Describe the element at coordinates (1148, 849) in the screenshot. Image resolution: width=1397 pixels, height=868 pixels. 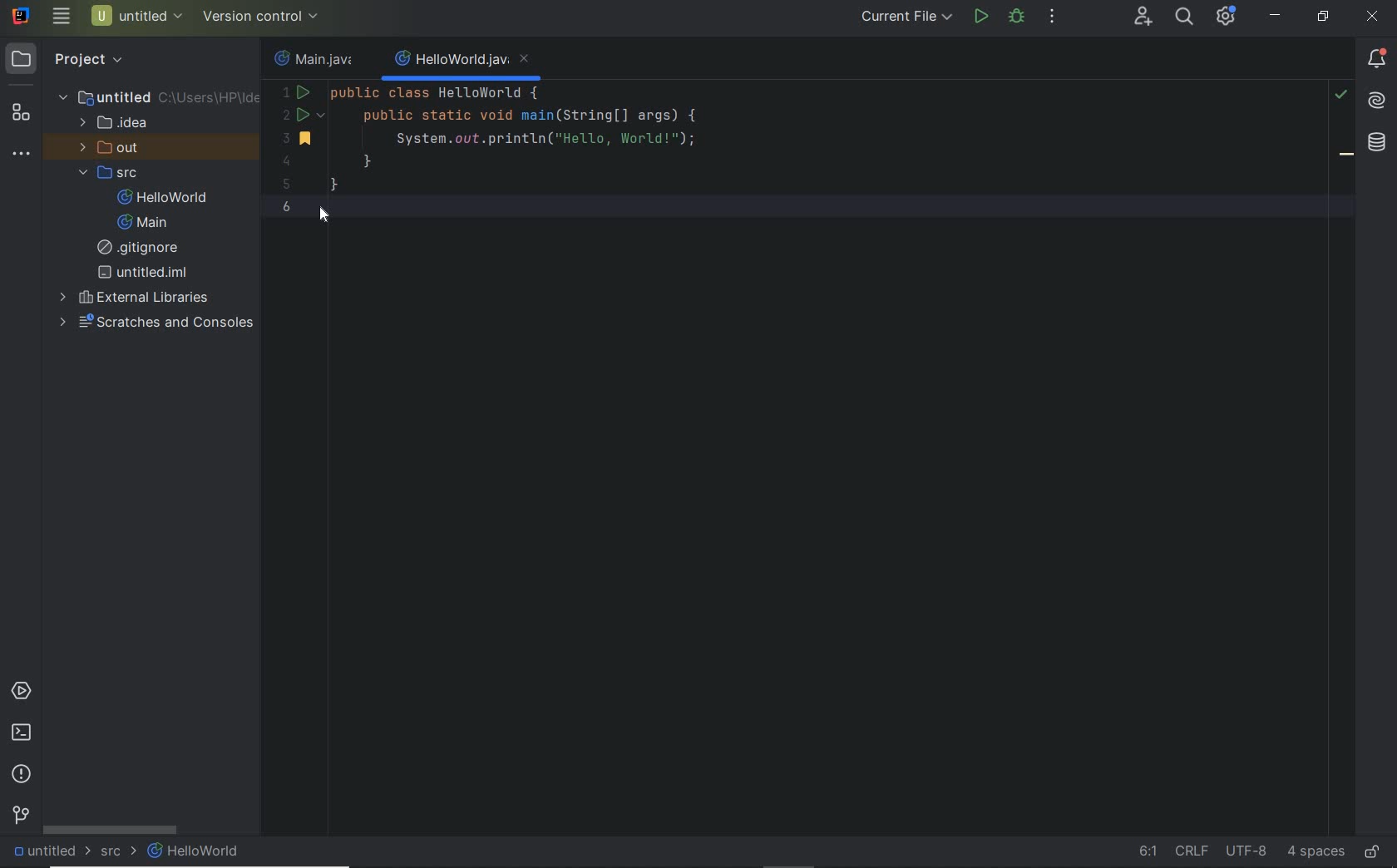
I see `go to line` at that location.